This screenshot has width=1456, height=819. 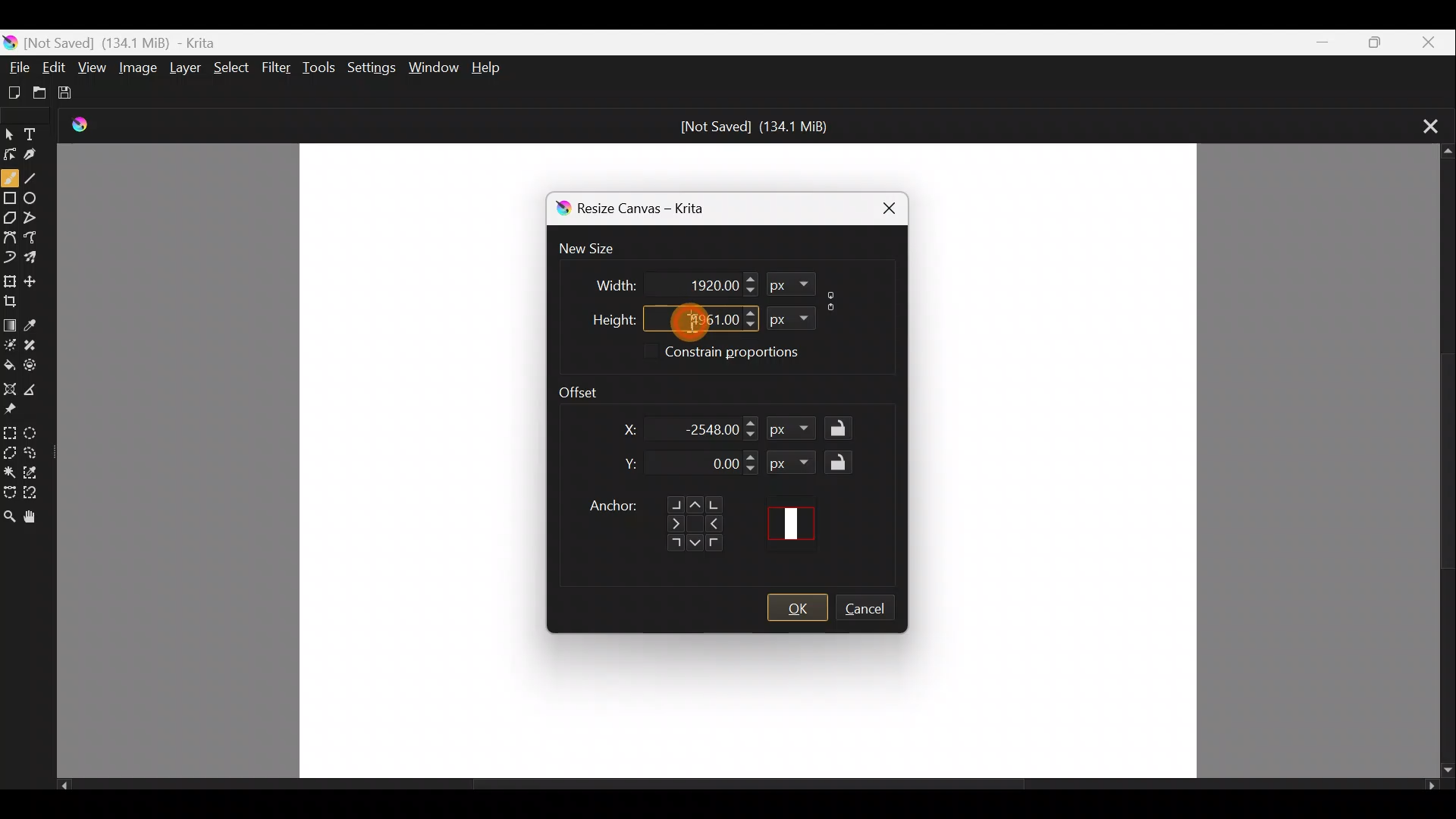 I want to click on Image, so click(x=136, y=70).